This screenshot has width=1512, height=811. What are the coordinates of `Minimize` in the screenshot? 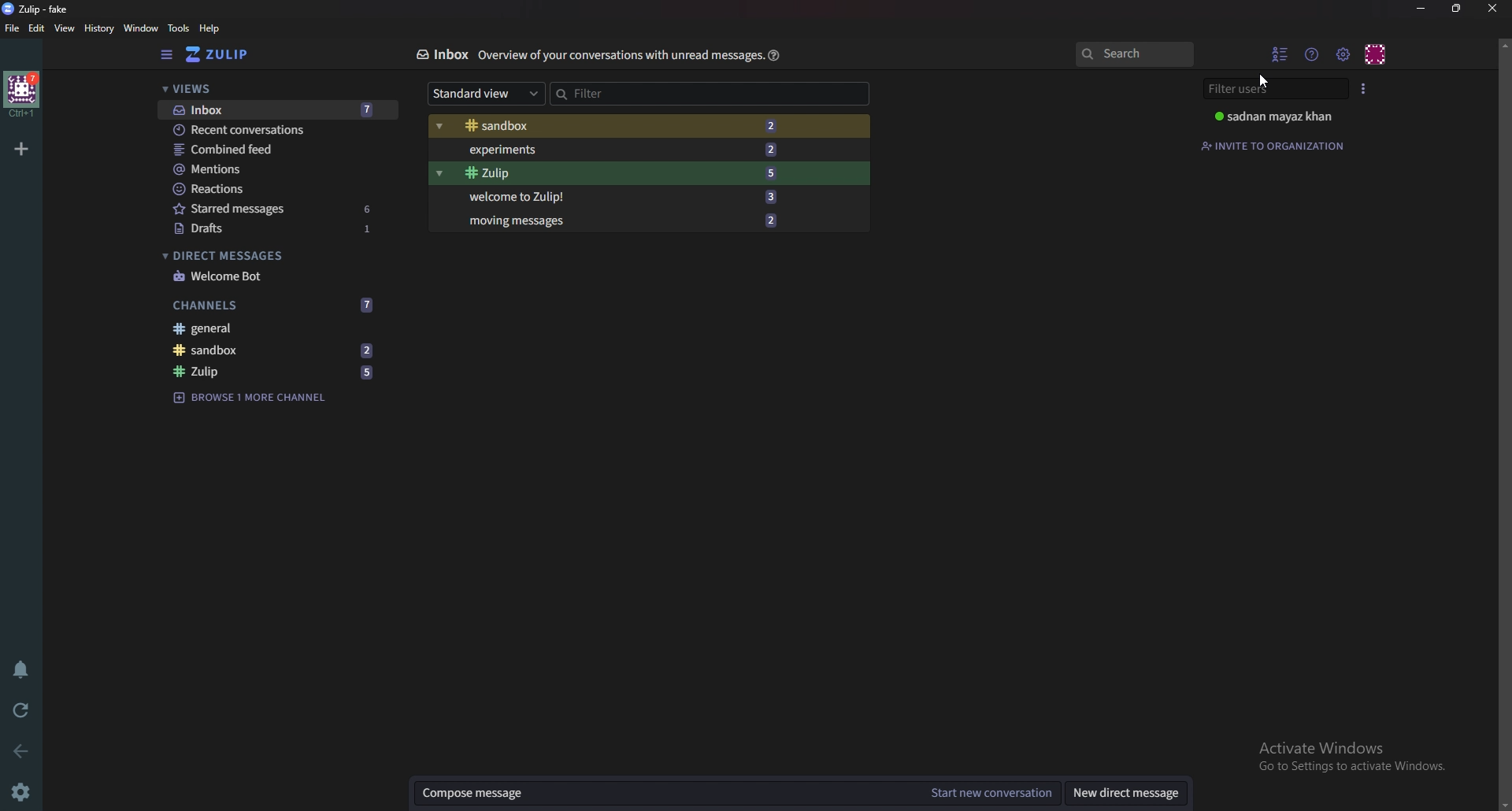 It's located at (1423, 8).